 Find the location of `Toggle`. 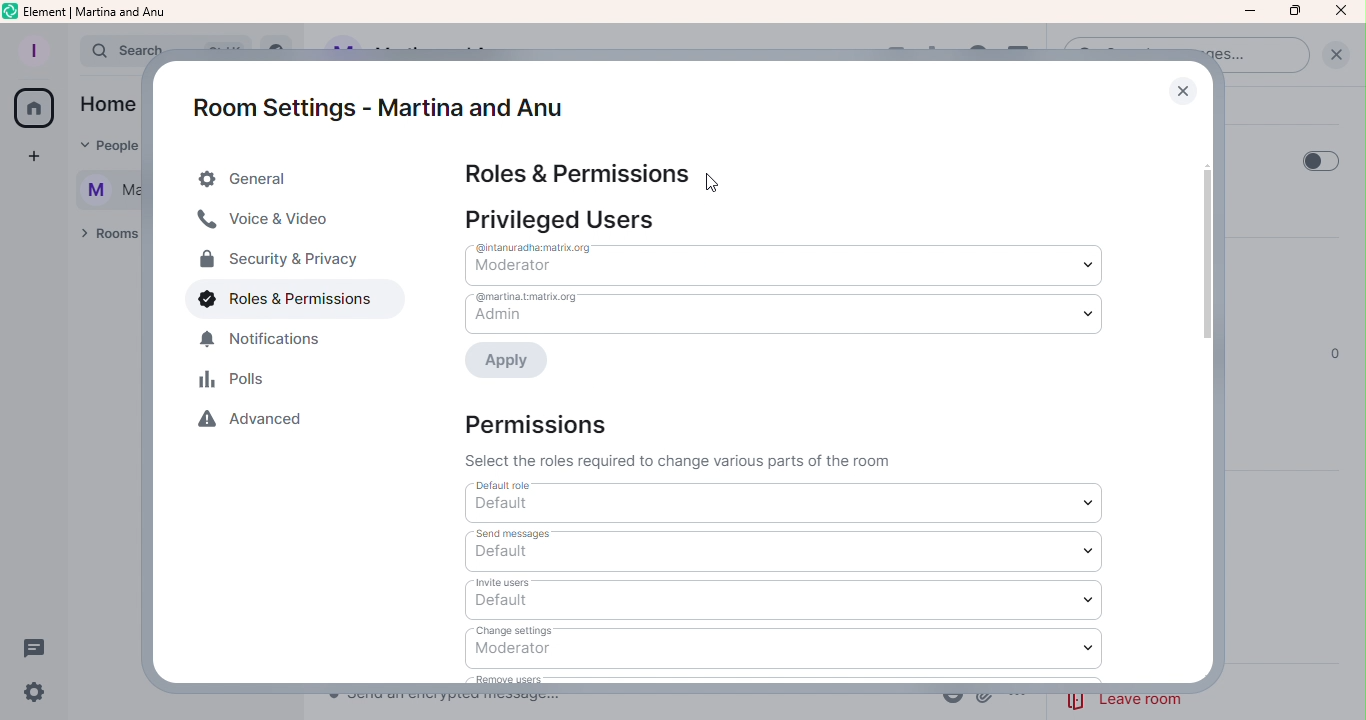

Toggle is located at coordinates (1320, 159).